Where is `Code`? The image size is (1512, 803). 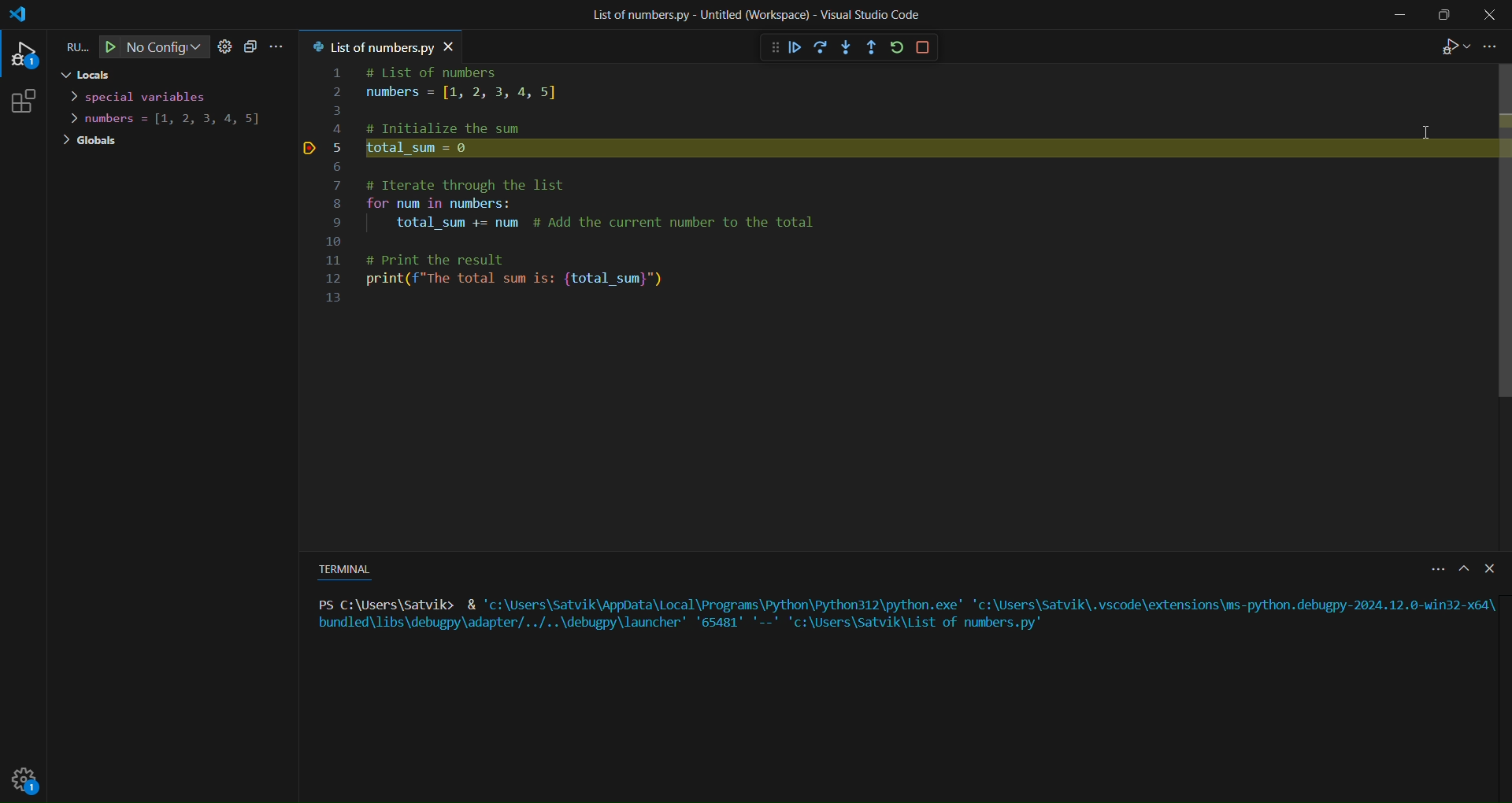 Code is located at coordinates (585, 236).